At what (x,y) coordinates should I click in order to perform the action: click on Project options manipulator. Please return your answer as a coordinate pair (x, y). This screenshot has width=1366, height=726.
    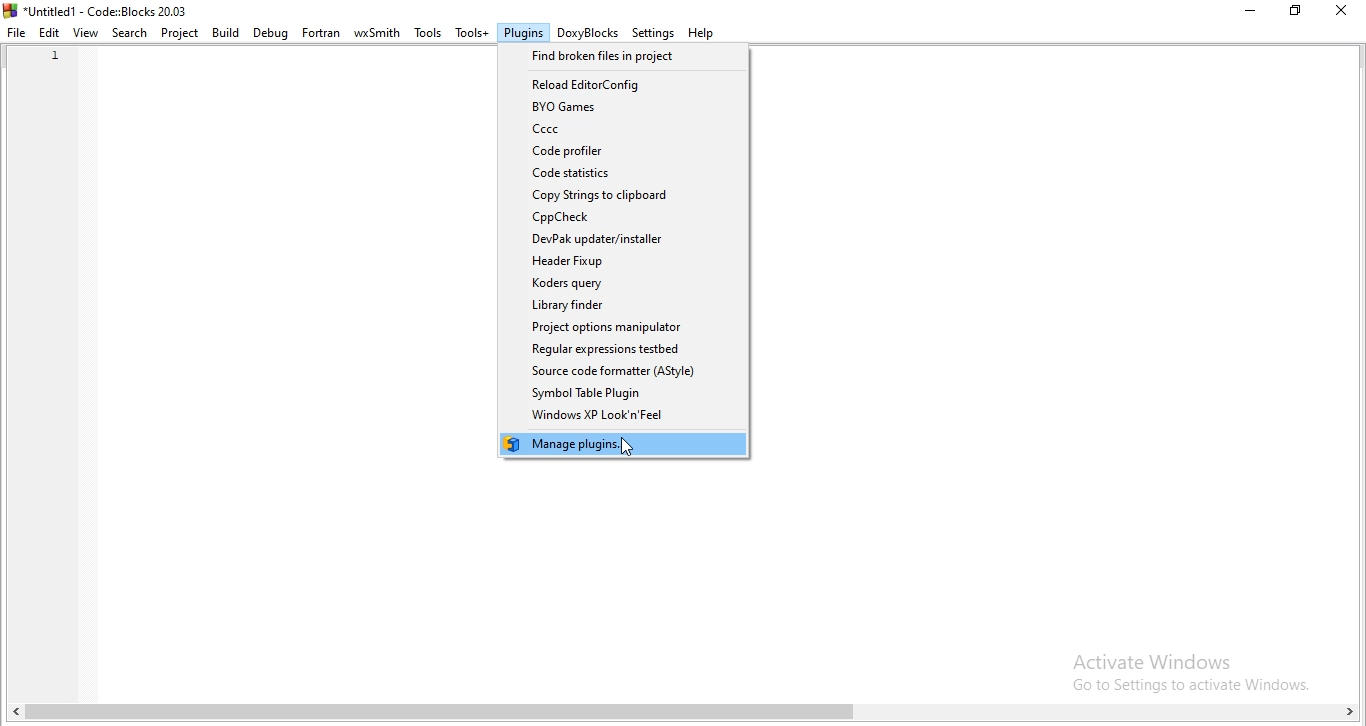
    Looking at the image, I should click on (627, 328).